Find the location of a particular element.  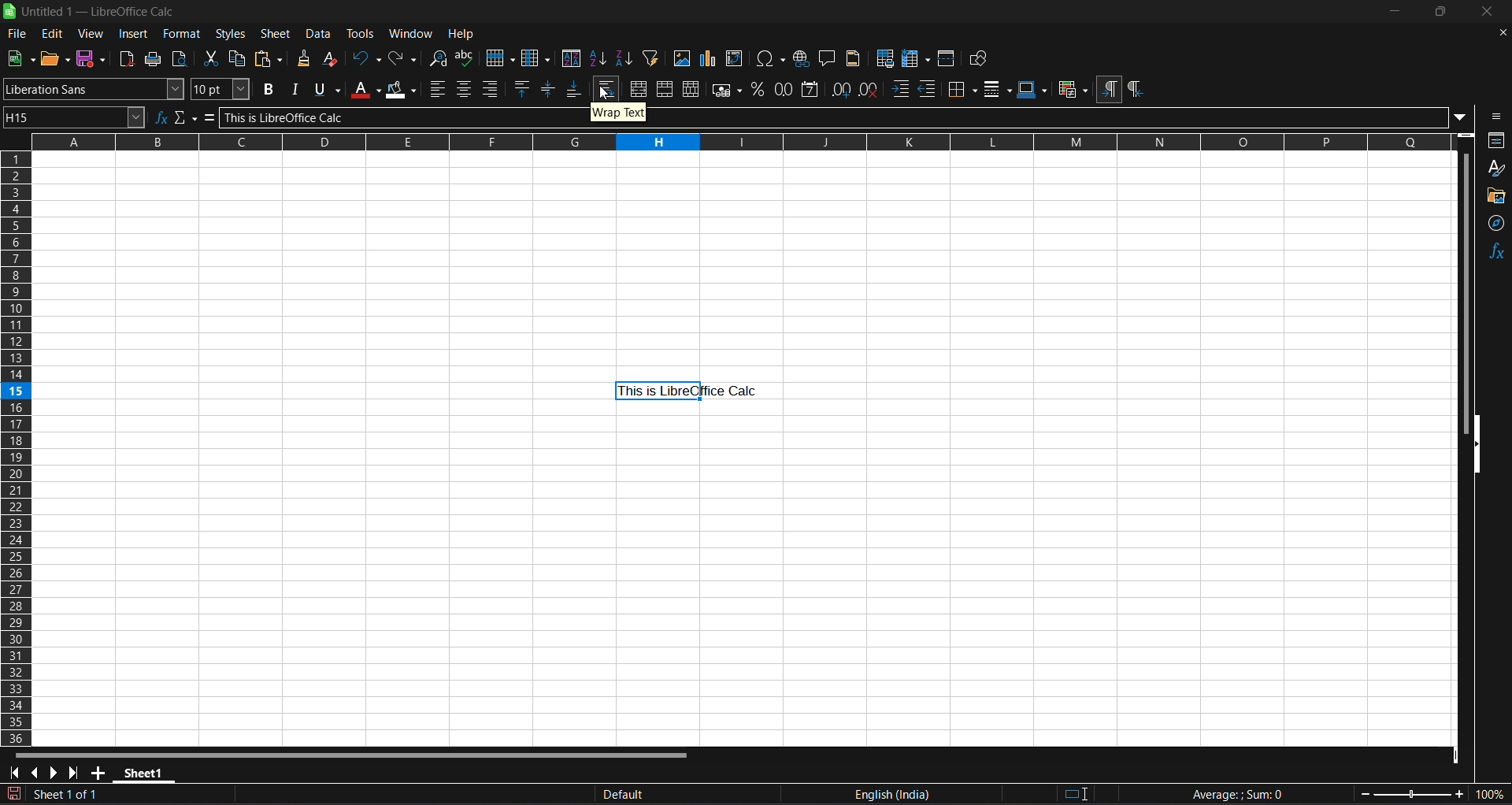

column is located at coordinates (535, 57).